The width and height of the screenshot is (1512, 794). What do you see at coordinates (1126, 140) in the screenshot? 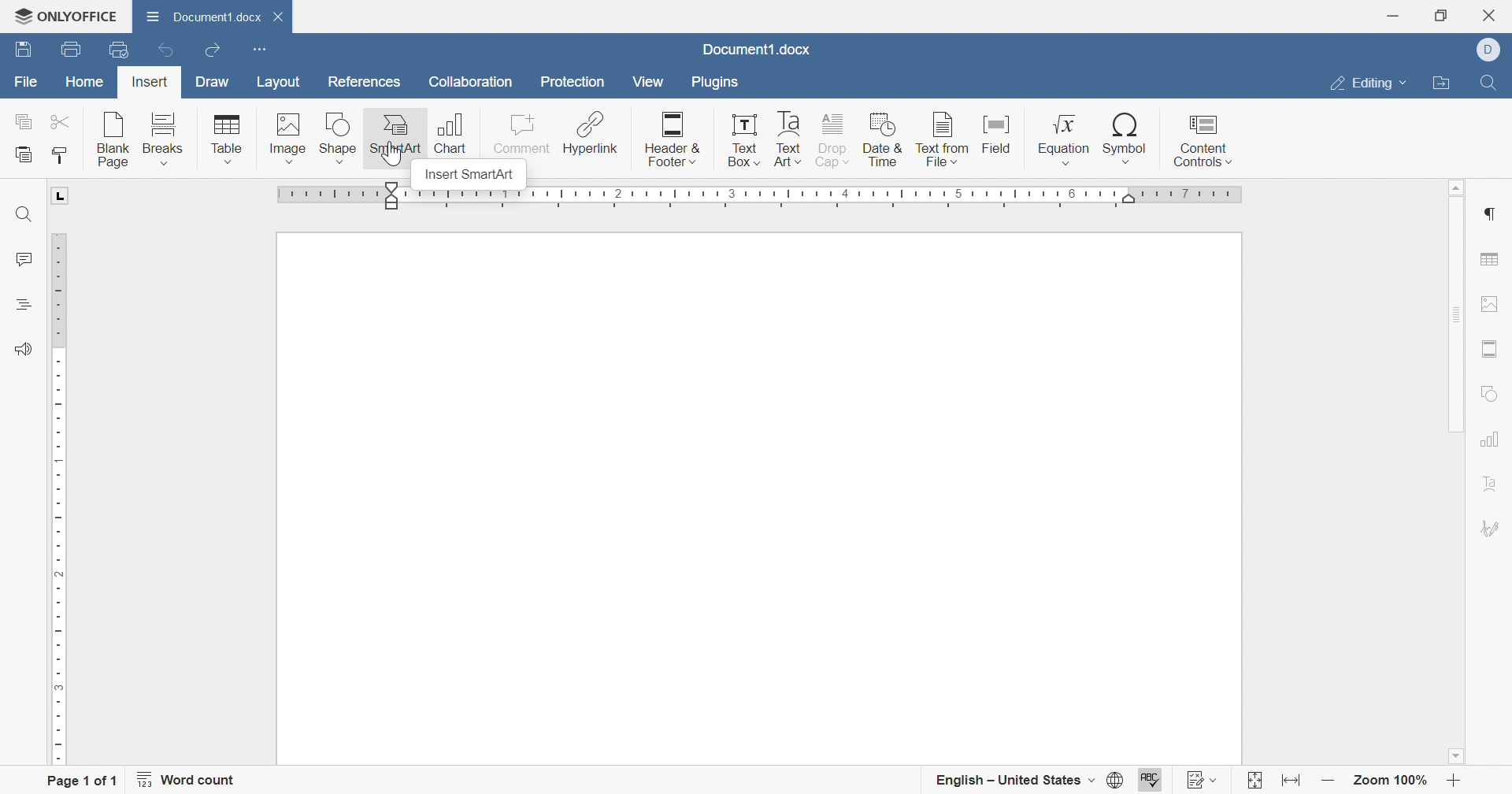
I see `Symbol` at bounding box center [1126, 140].